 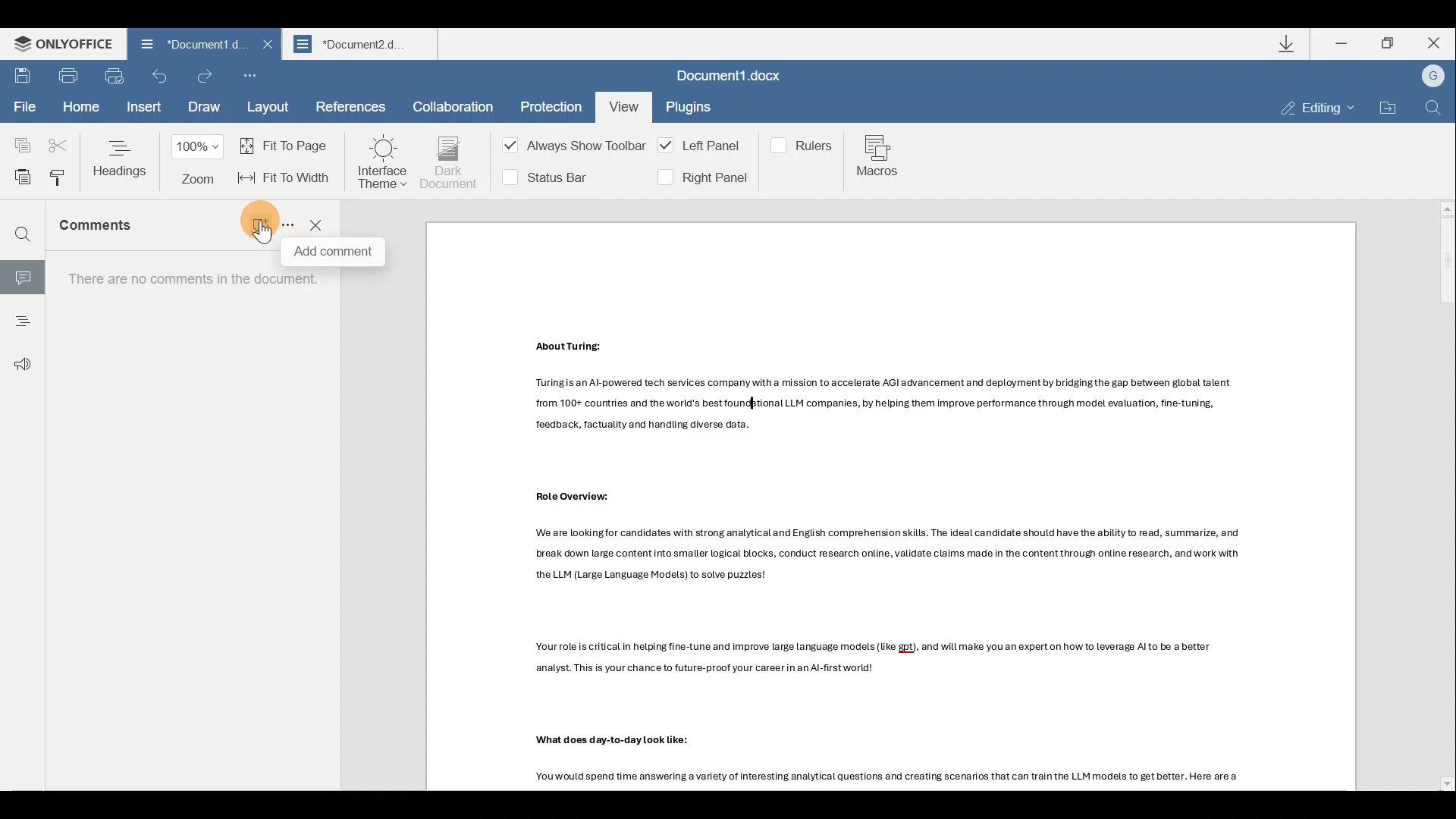 What do you see at coordinates (18, 174) in the screenshot?
I see `Paste` at bounding box center [18, 174].